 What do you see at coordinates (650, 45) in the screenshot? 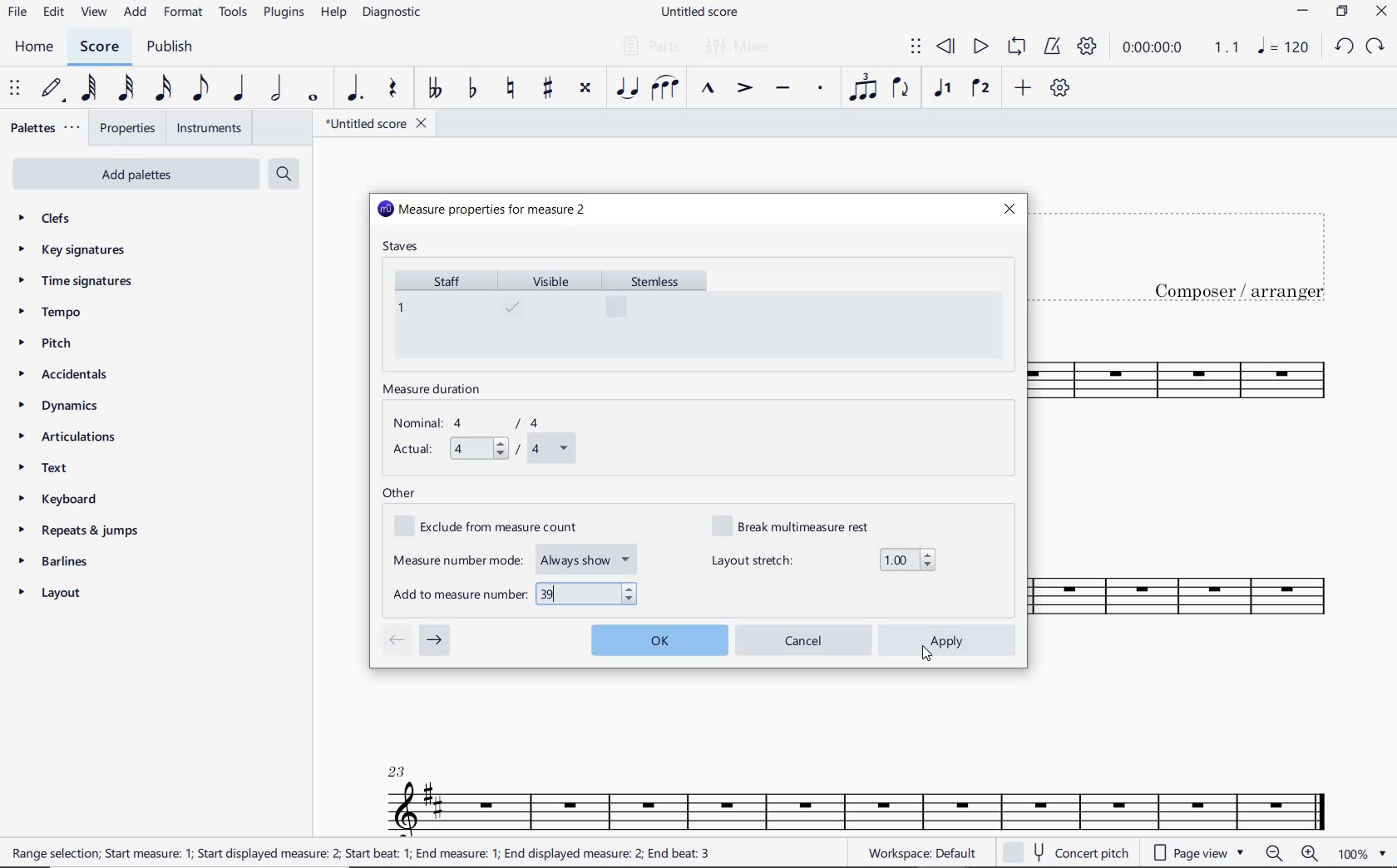
I see `PARTS` at bounding box center [650, 45].